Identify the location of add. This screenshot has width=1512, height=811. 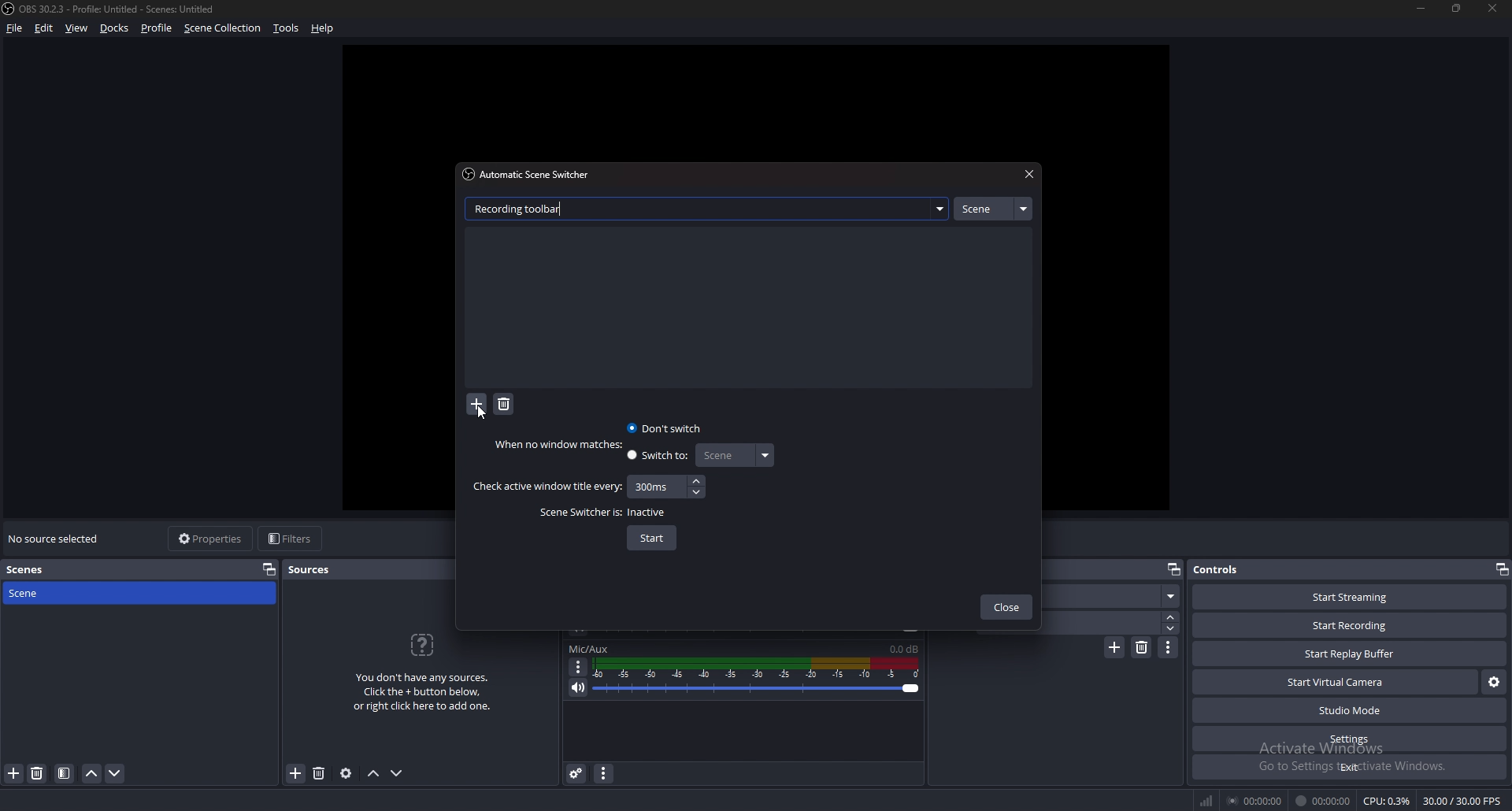
(477, 405).